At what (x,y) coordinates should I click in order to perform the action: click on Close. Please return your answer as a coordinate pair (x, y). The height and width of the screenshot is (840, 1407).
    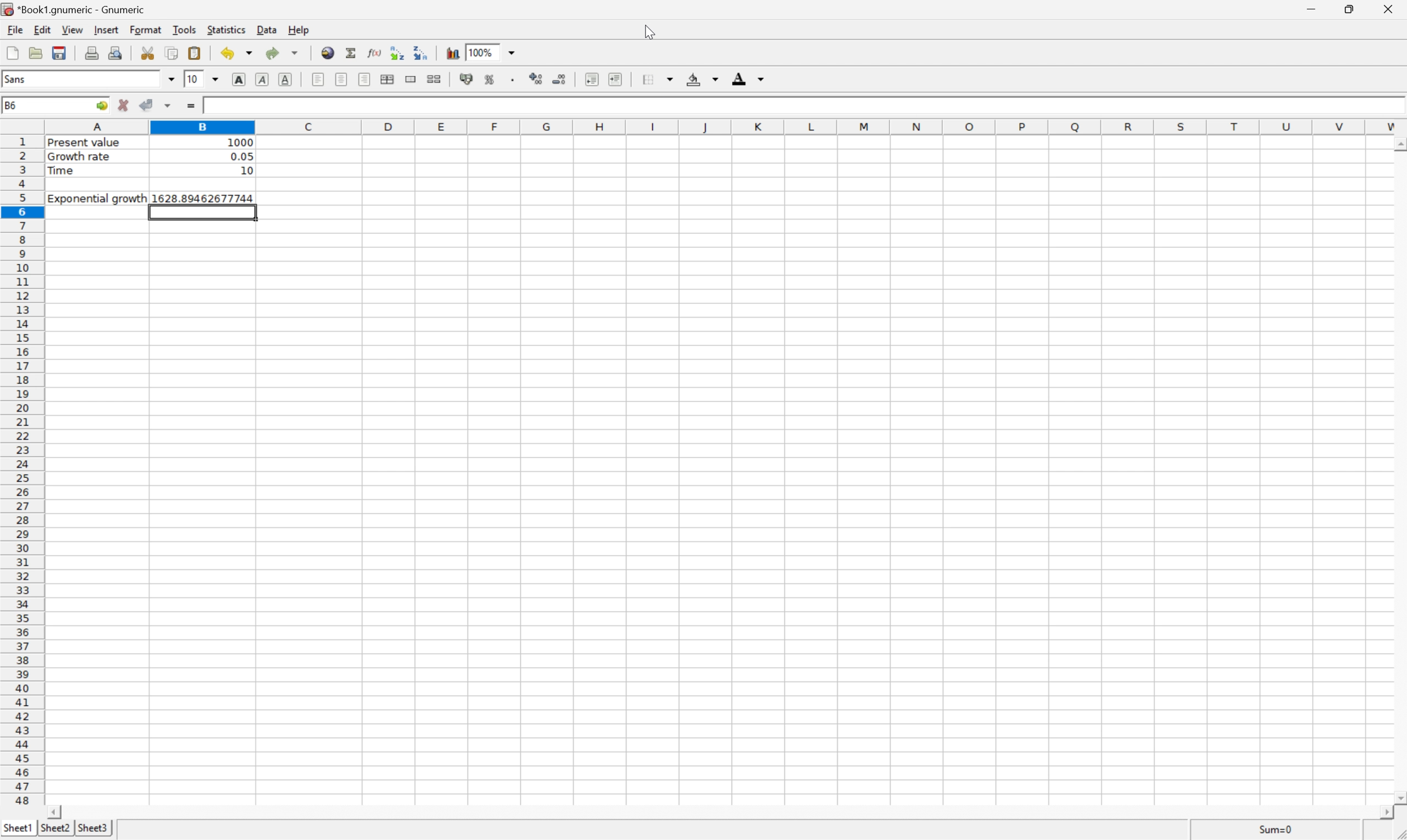
    Looking at the image, I should click on (1386, 10).